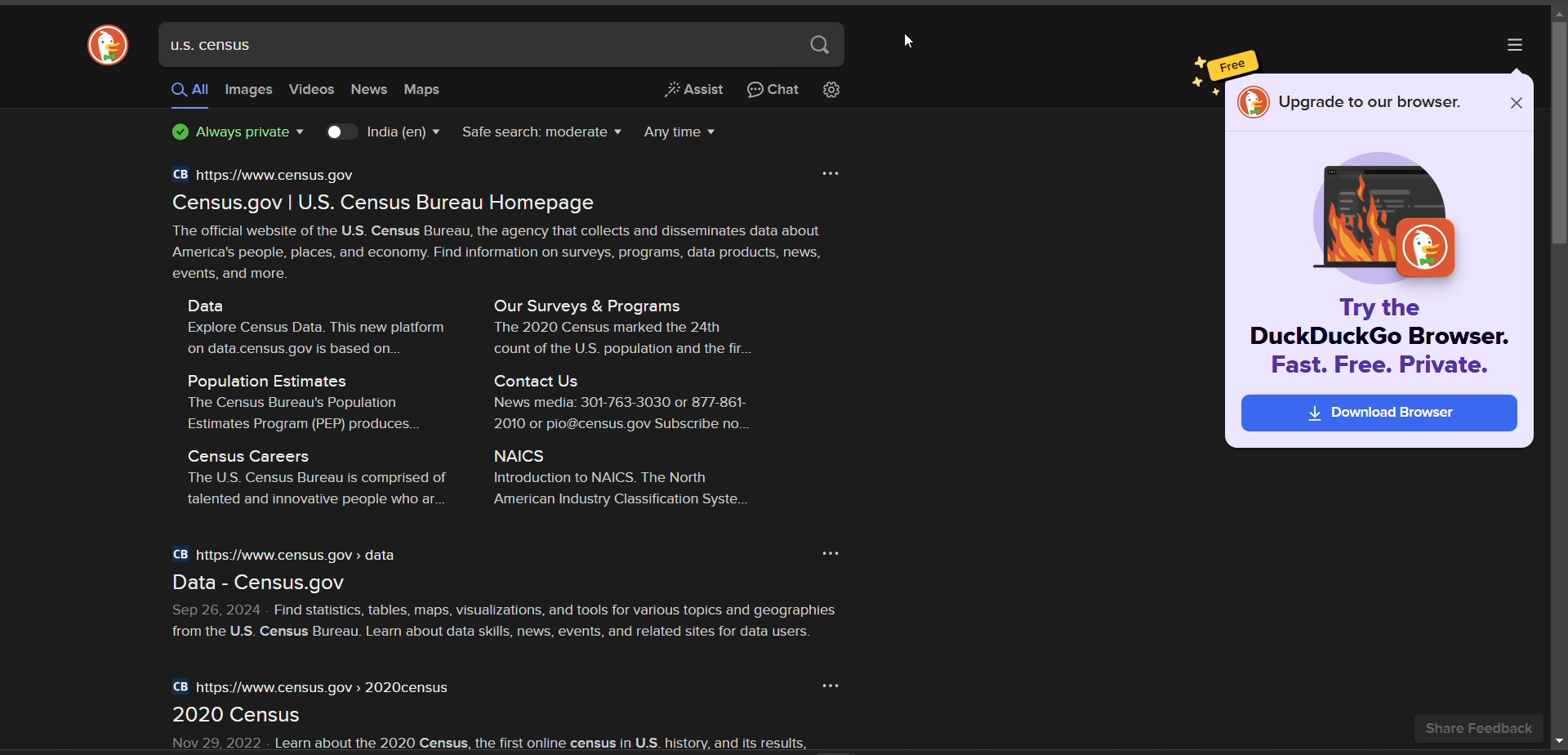 This screenshot has width=1568, height=755. What do you see at coordinates (914, 42) in the screenshot?
I see `cursor` at bounding box center [914, 42].